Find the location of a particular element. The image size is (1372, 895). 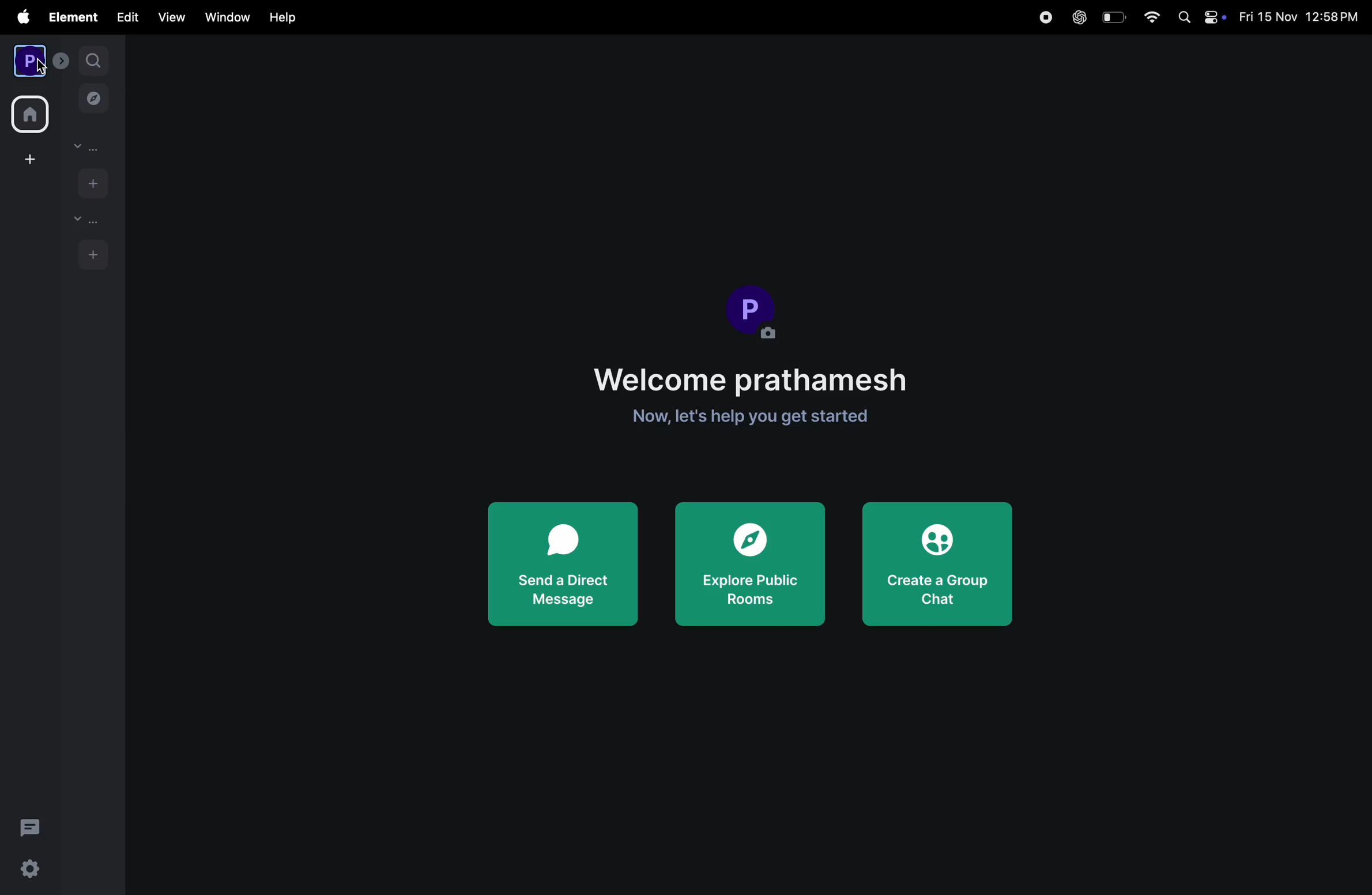

edit is located at coordinates (127, 16).